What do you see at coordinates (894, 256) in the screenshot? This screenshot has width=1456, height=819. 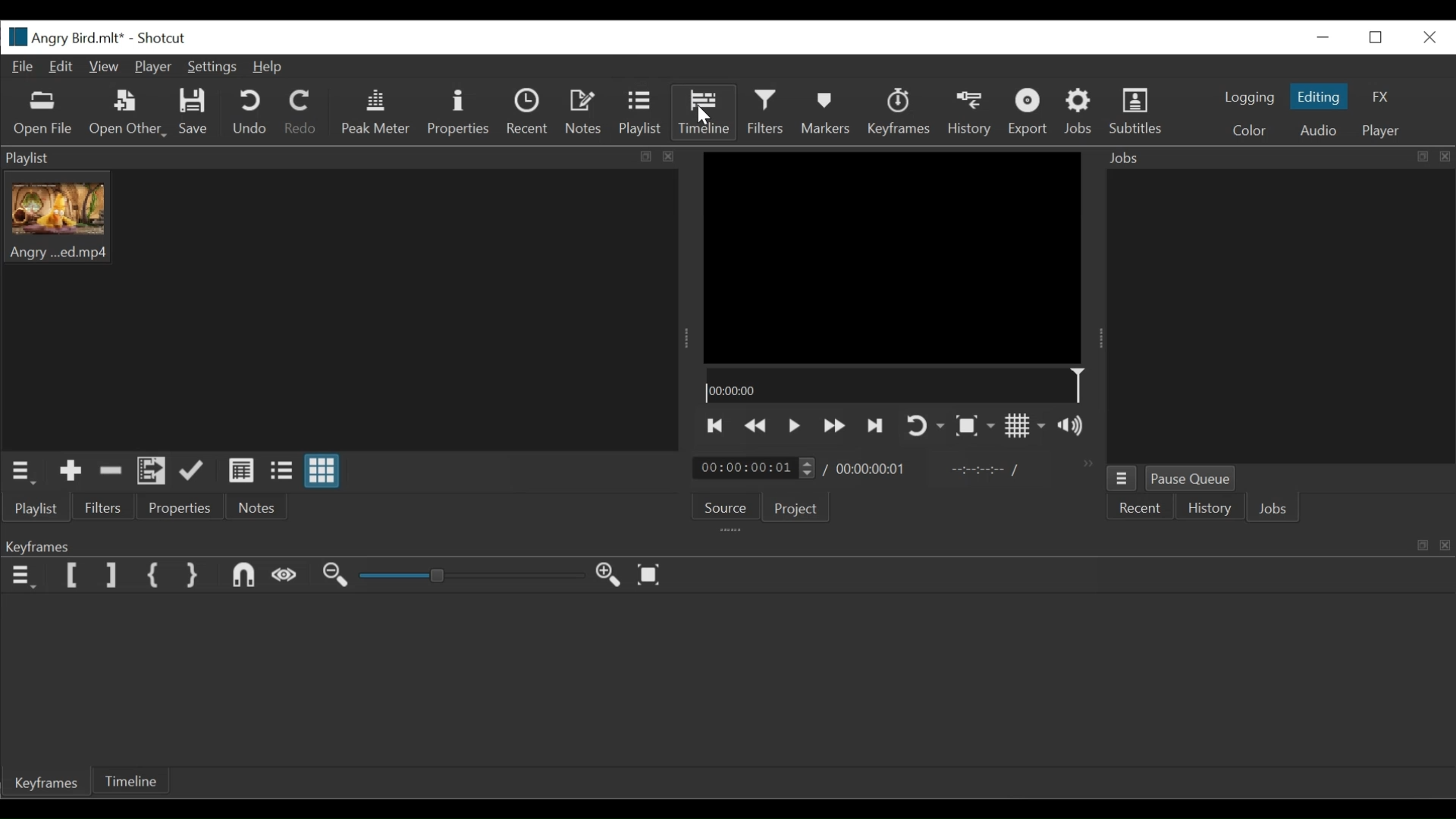 I see `Media Viewer` at bounding box center [894, 256].